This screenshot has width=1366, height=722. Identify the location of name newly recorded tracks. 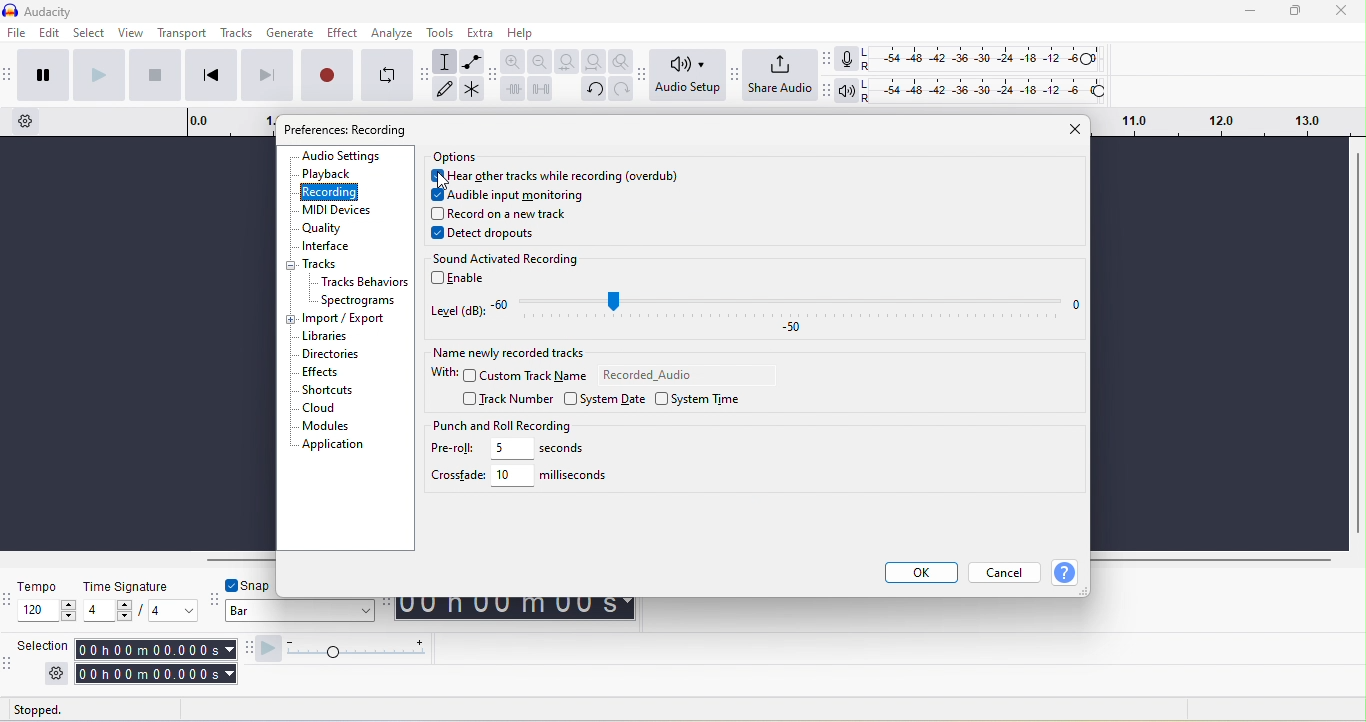
(510, 353).